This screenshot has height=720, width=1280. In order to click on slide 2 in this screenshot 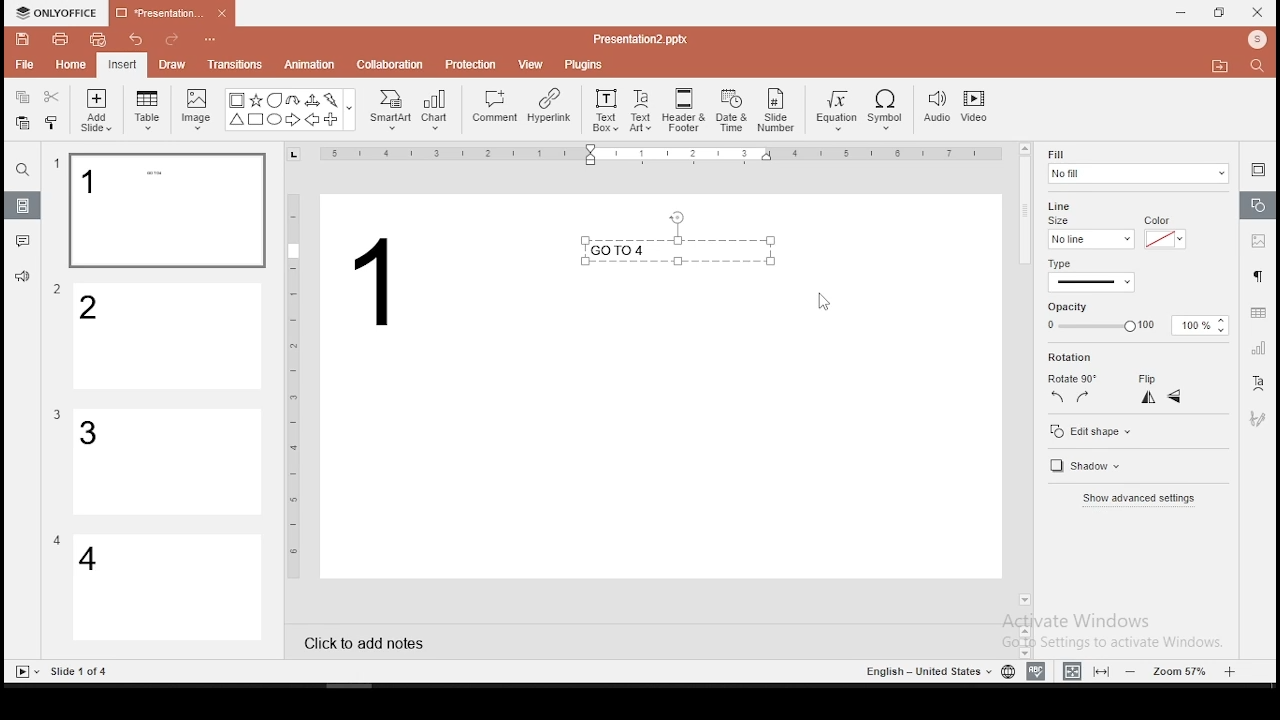, I will do `click(169, 337)`.